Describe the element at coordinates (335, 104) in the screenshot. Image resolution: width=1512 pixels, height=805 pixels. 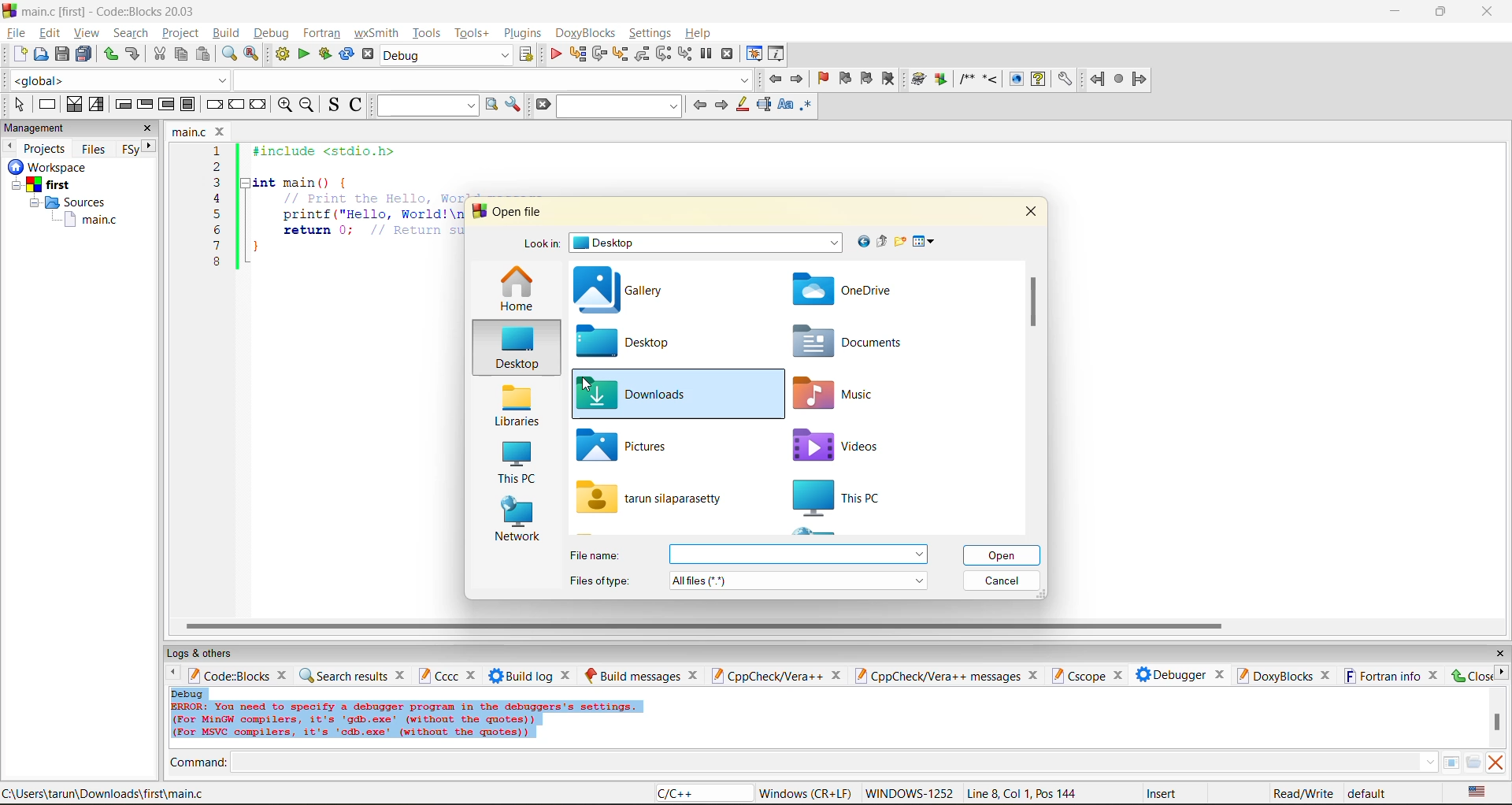
I see `toggle source` at that location.